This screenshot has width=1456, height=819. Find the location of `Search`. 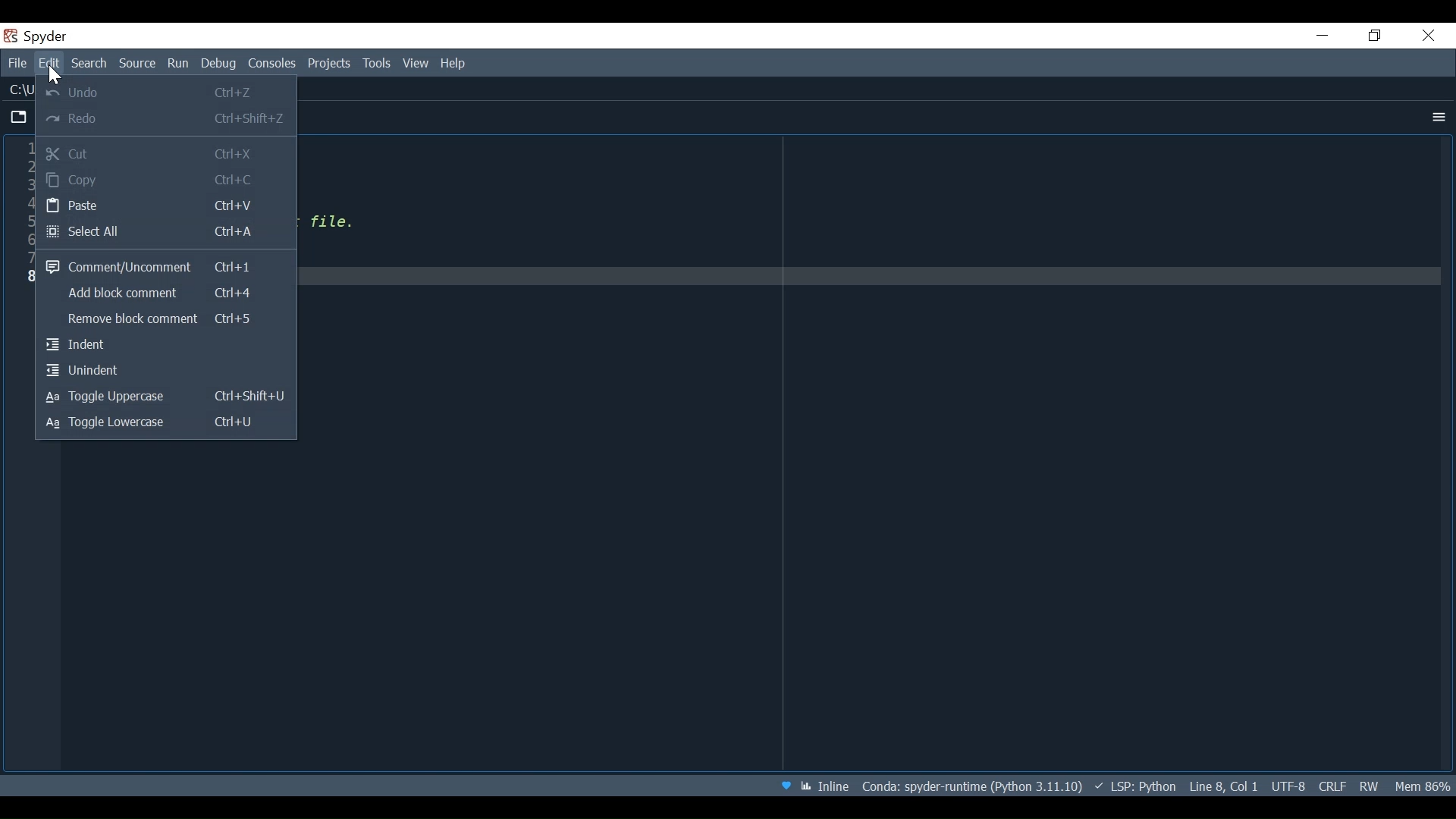

Search is located at coordinates (89, 64).